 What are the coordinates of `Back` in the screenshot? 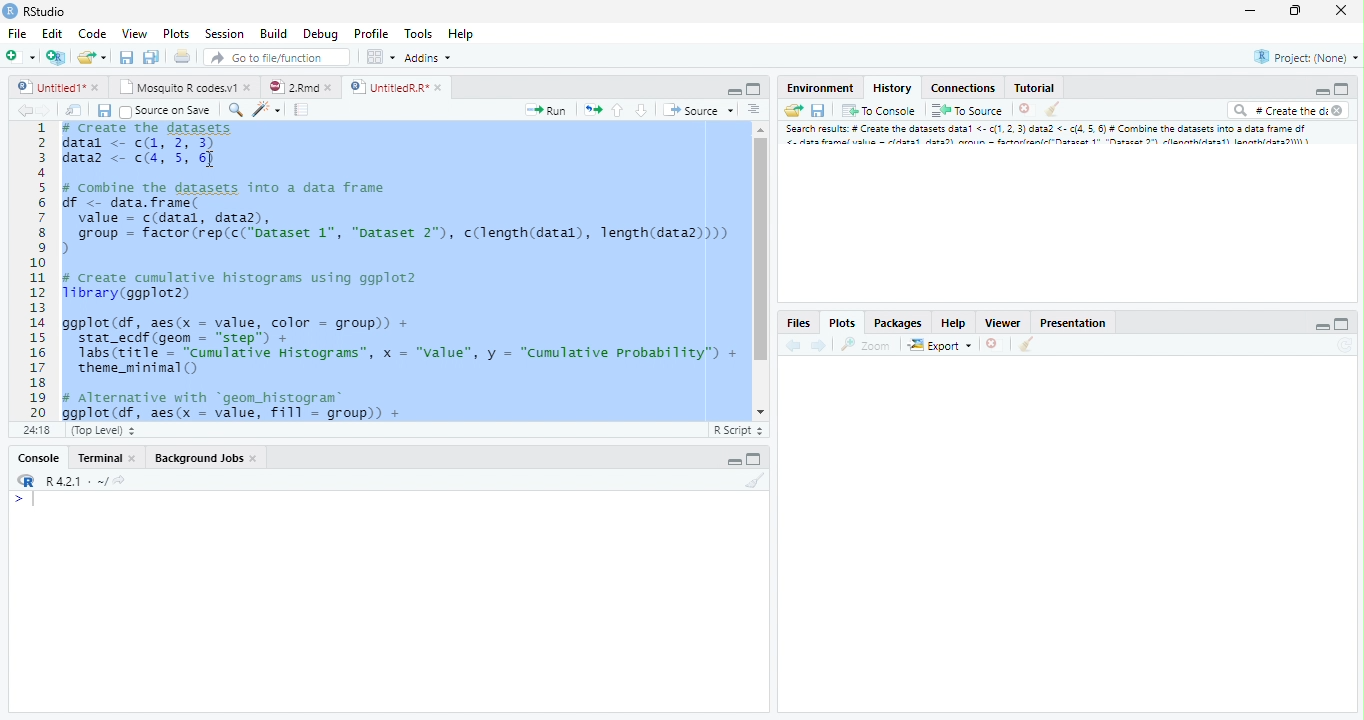 It's located at (17, 113).